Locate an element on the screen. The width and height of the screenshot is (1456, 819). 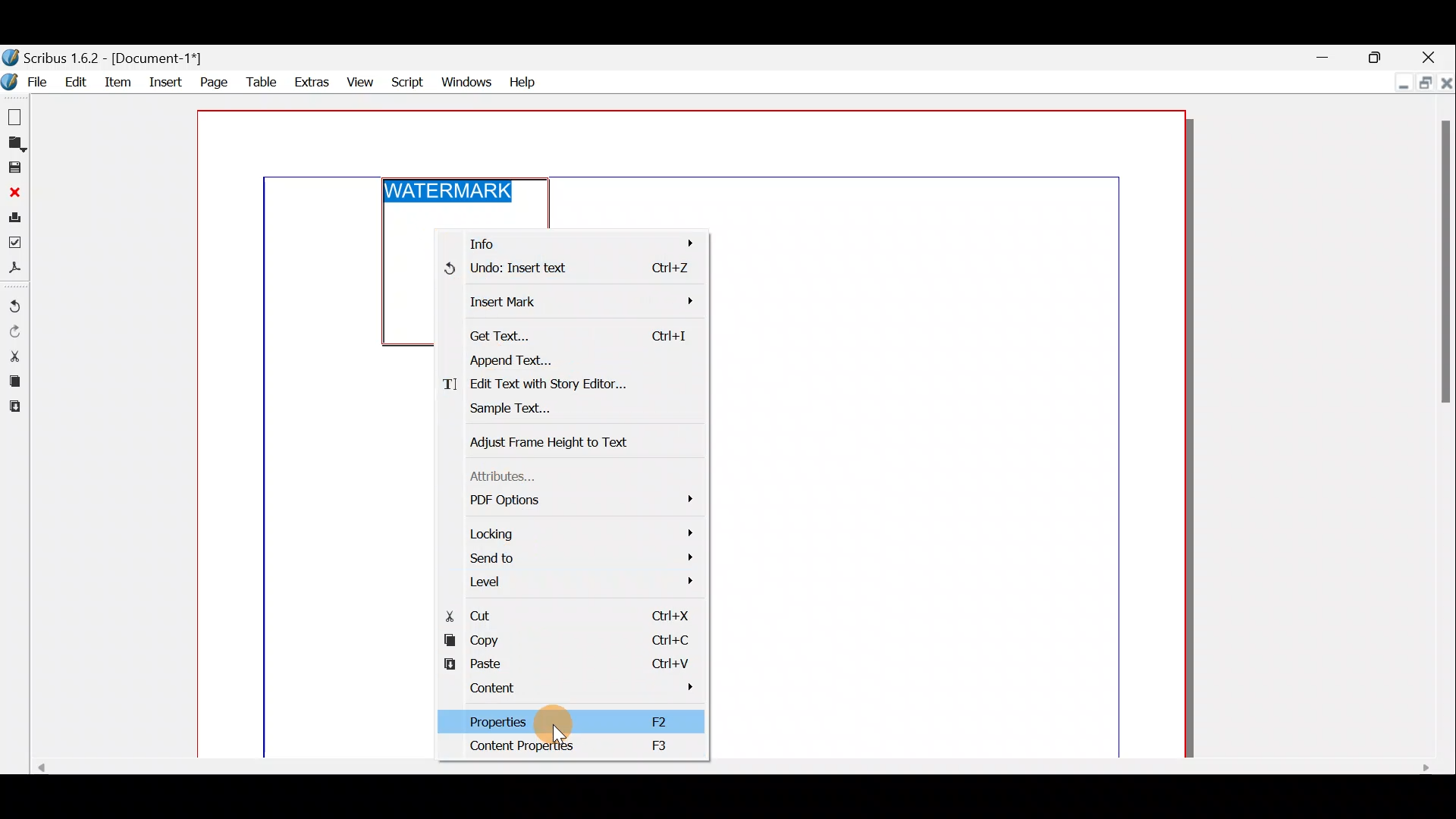
Close is located at coordinates (1432, 55).